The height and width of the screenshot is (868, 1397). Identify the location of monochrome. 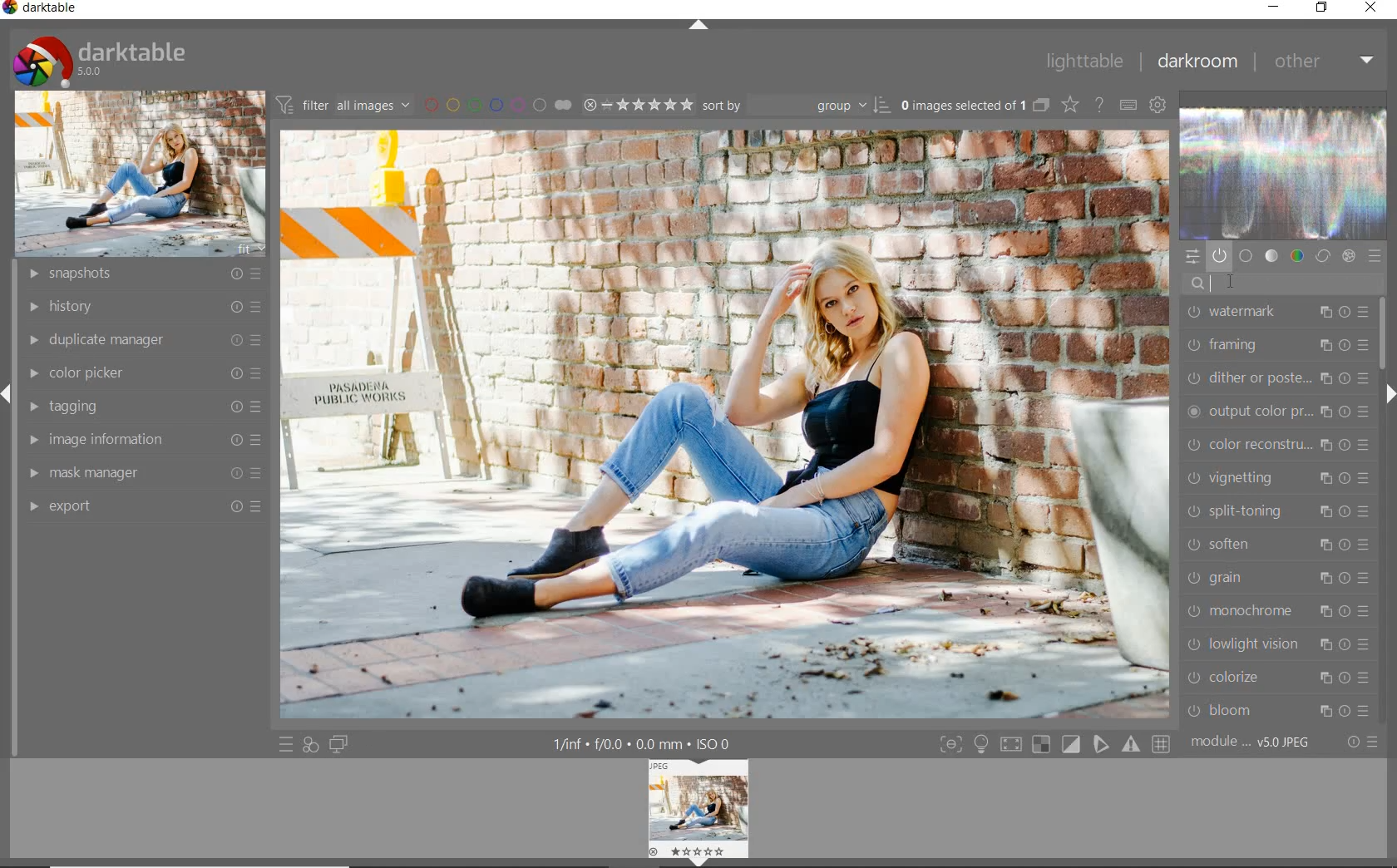
(1276, 614).